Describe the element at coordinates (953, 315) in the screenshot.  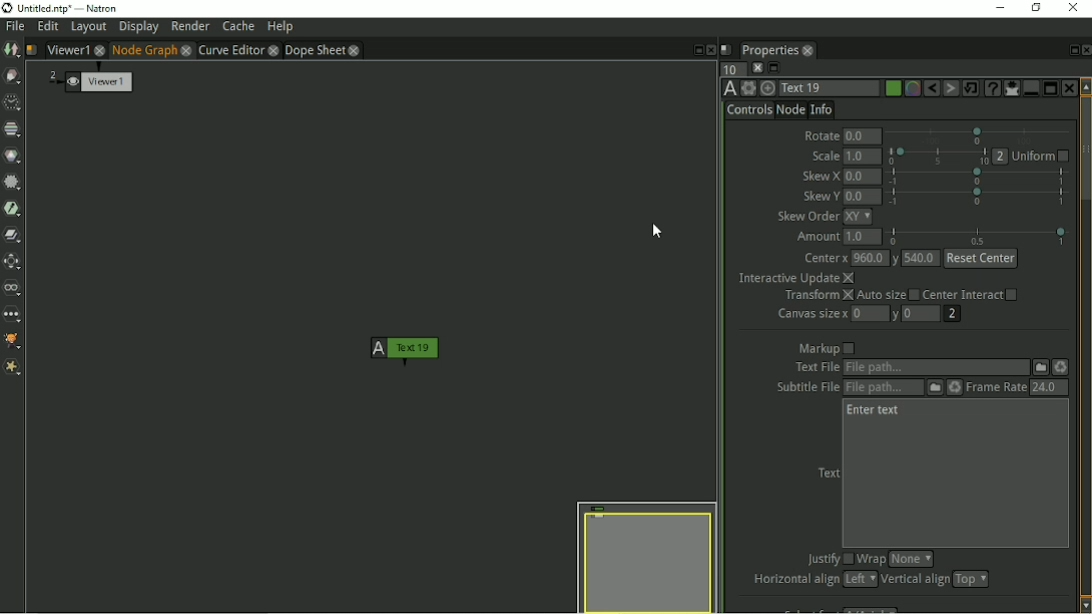
I see `2` at that location.